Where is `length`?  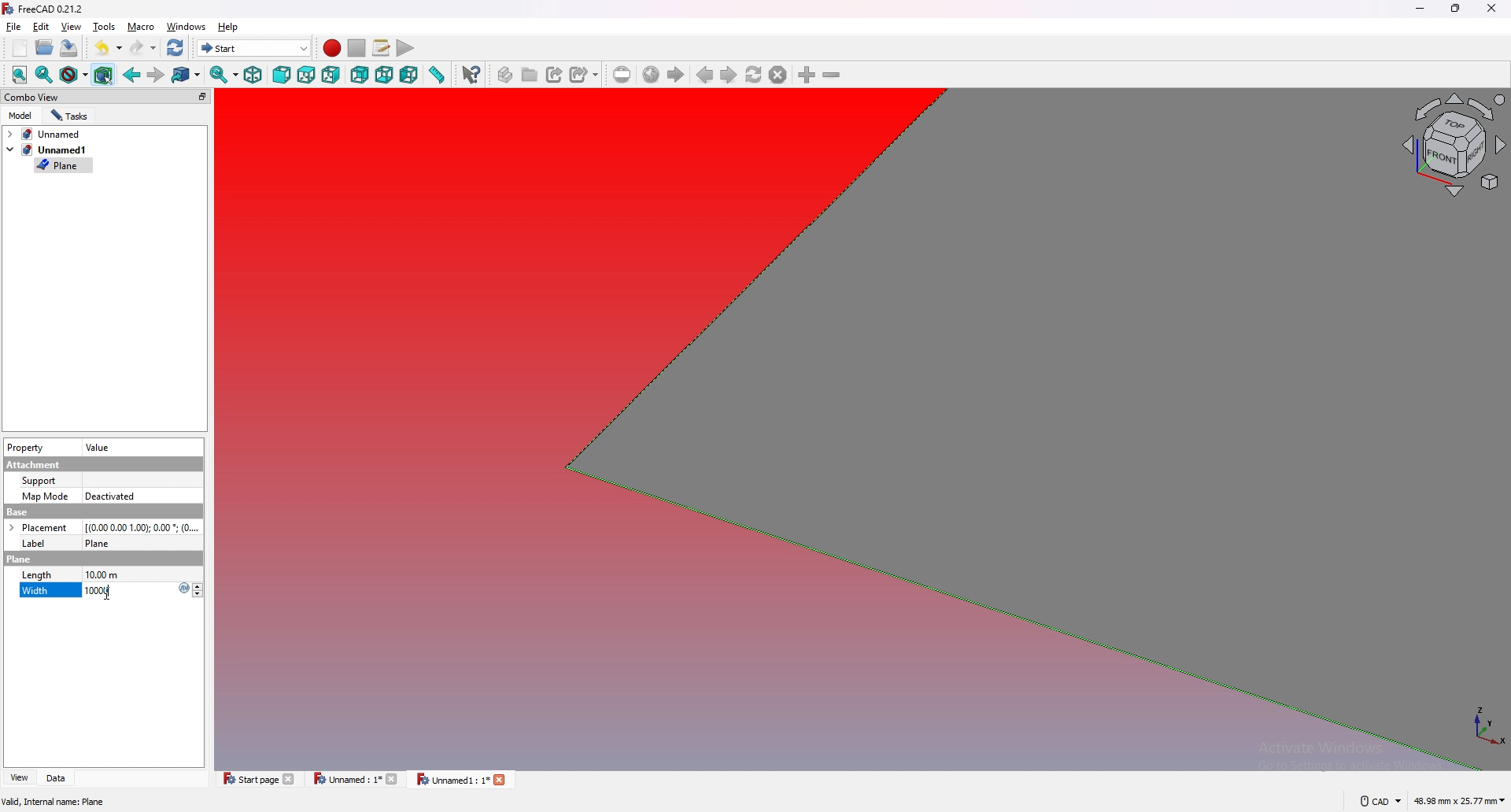
length is located at coordinates (37, 574).